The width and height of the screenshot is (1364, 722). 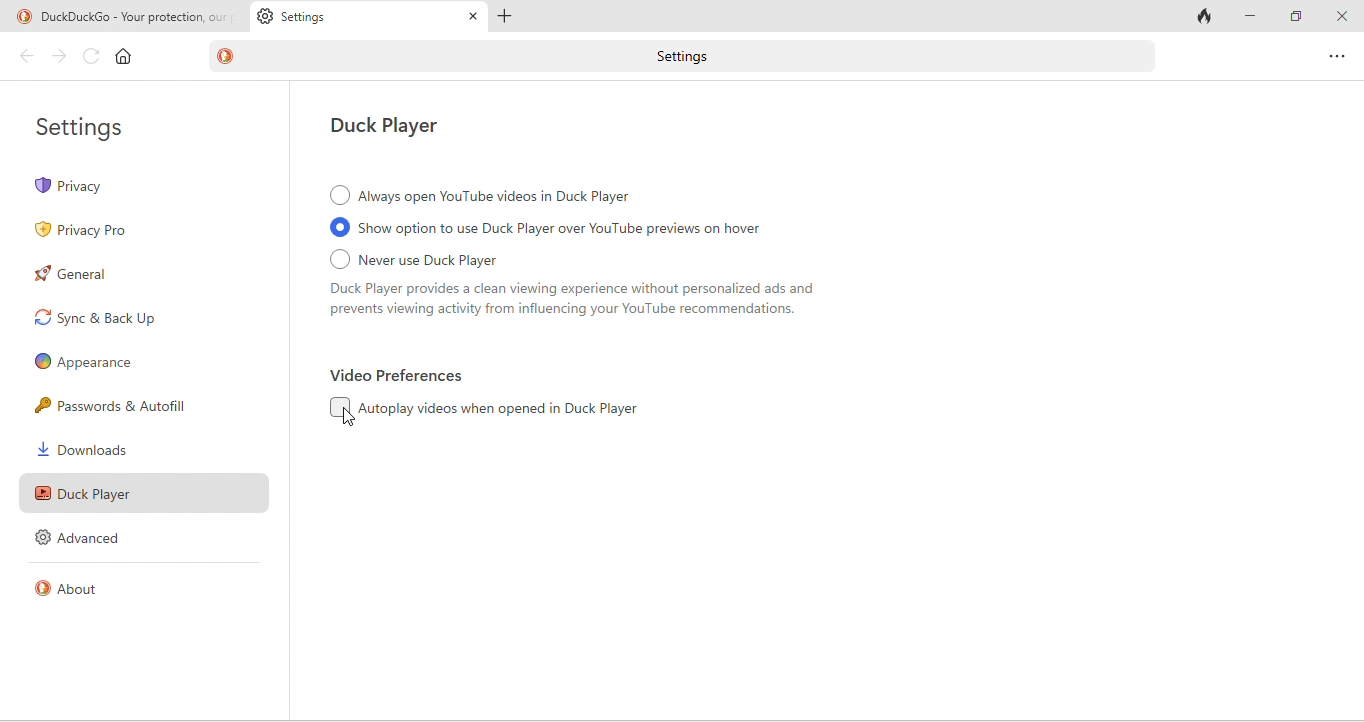 I want to click on forward, so click(x=61, y=58).